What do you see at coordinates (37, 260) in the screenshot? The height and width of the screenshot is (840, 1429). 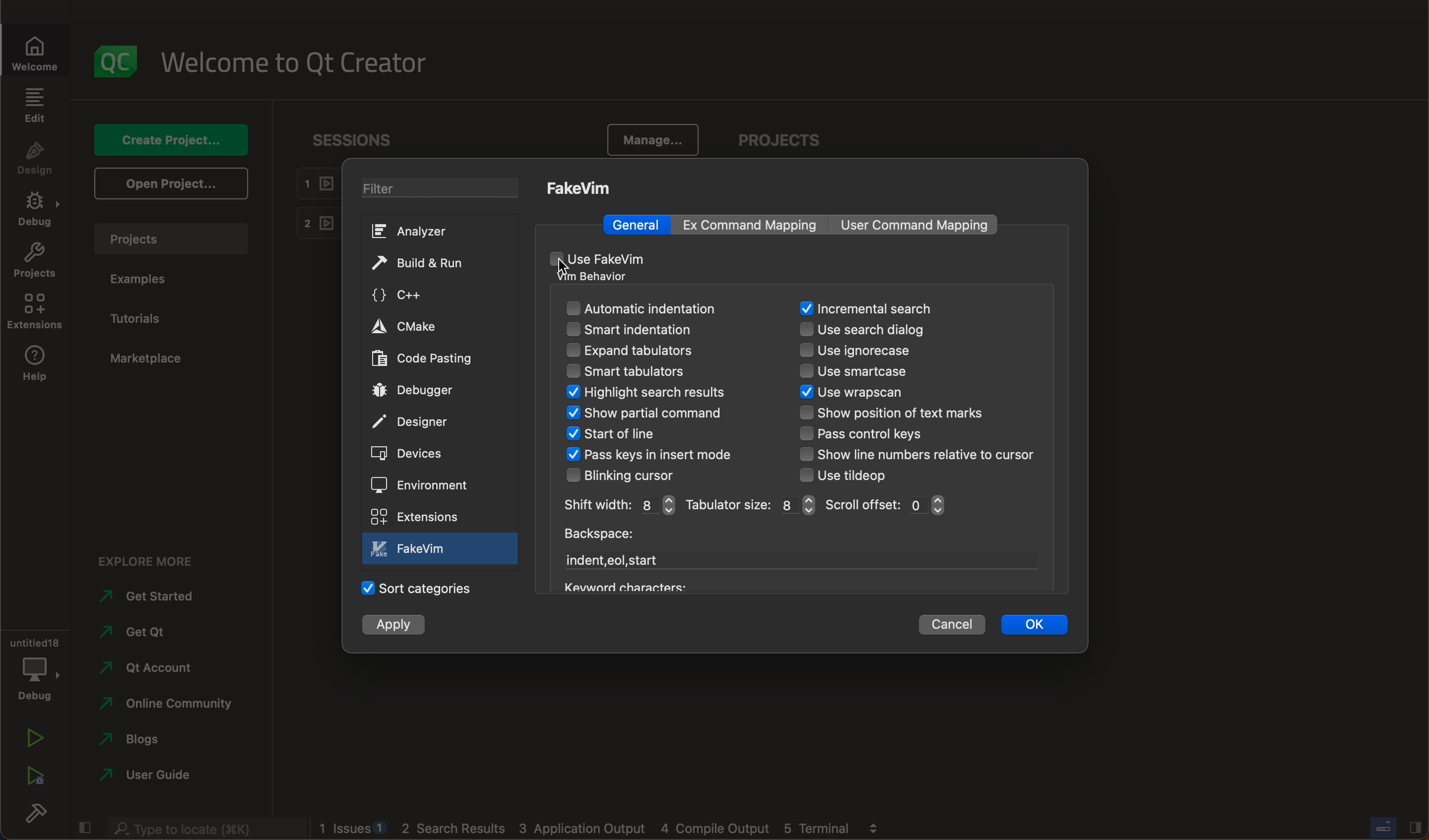 I see `projects` at bounding box center [37, 260].